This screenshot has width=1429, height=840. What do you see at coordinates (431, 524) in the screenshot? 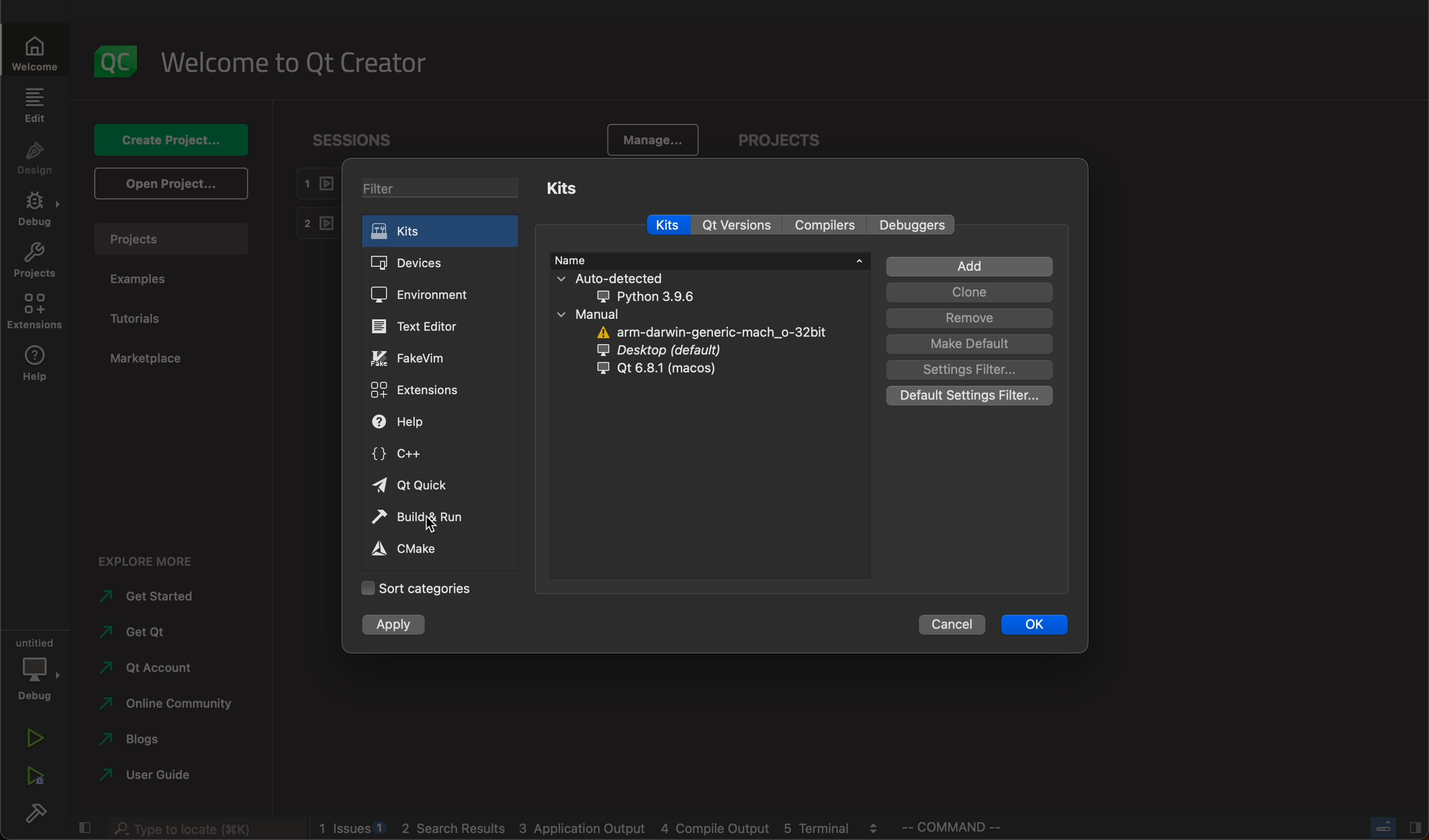
I see `cursor` at bounding box center [431, 524].